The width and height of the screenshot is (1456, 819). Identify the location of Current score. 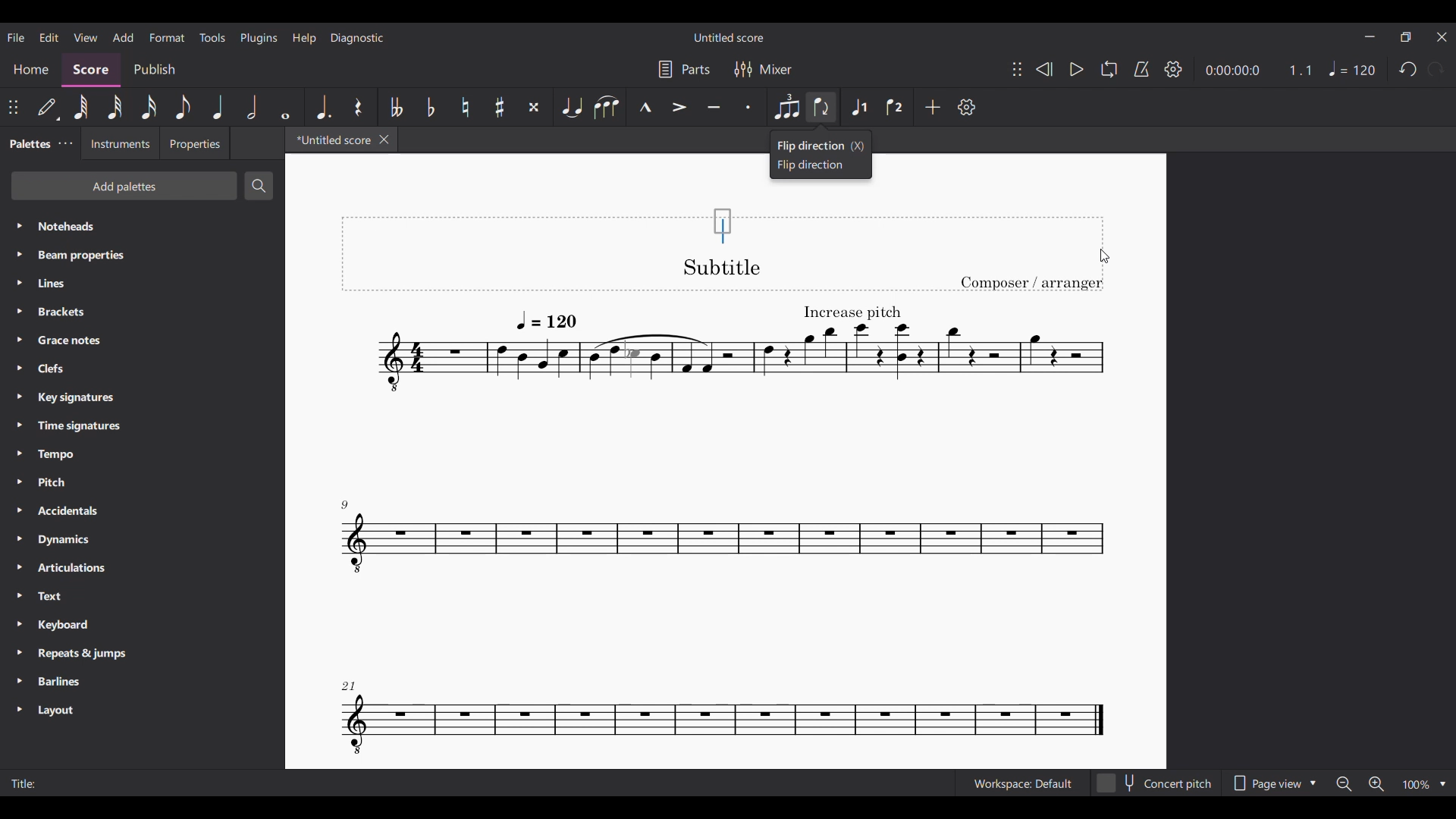
(723, 508).